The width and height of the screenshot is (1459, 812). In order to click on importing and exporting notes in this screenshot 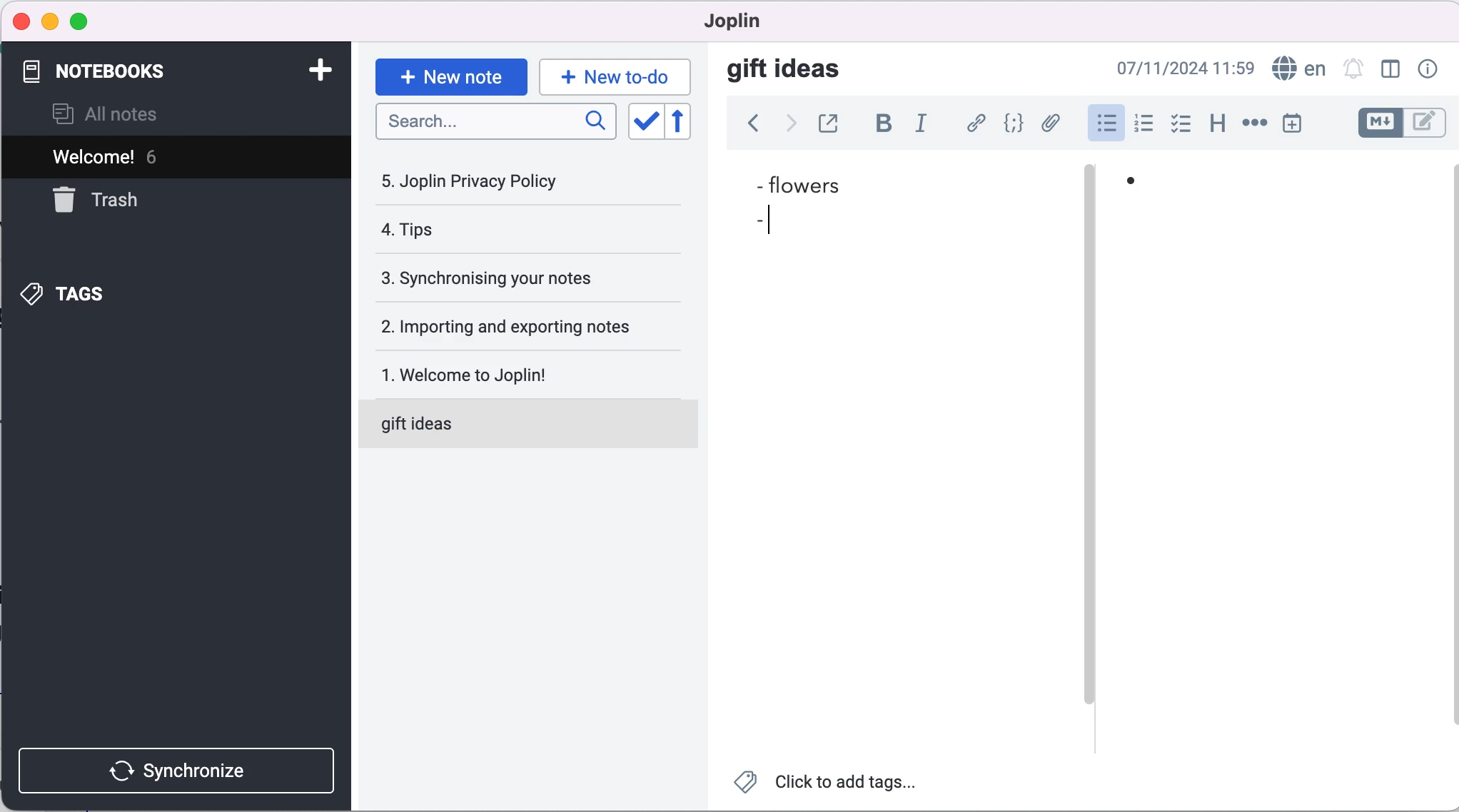, I will do `click(523, 325)`.